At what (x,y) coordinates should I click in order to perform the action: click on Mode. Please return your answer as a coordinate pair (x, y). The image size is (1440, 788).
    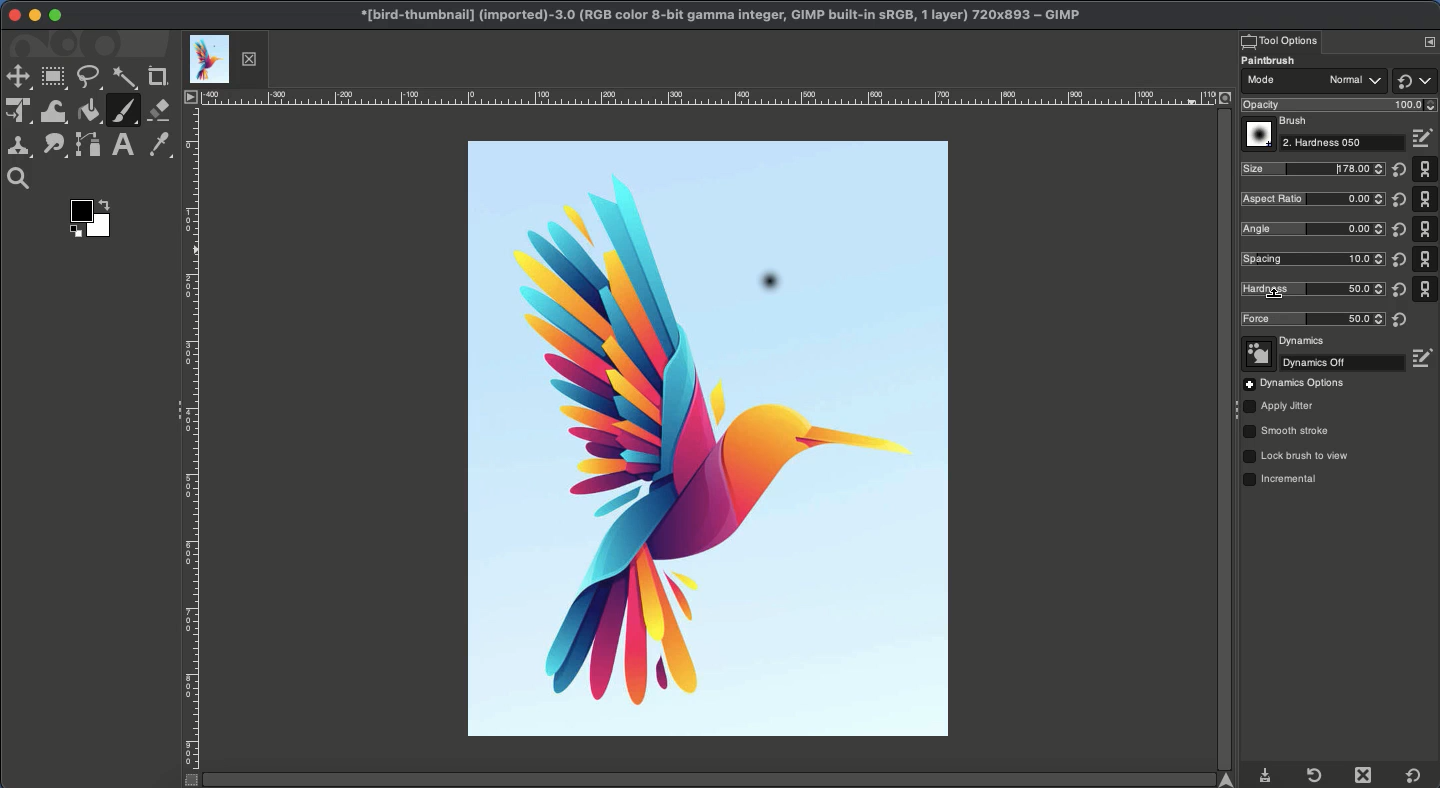
    Looking at the image, I should click on (1313, 83).